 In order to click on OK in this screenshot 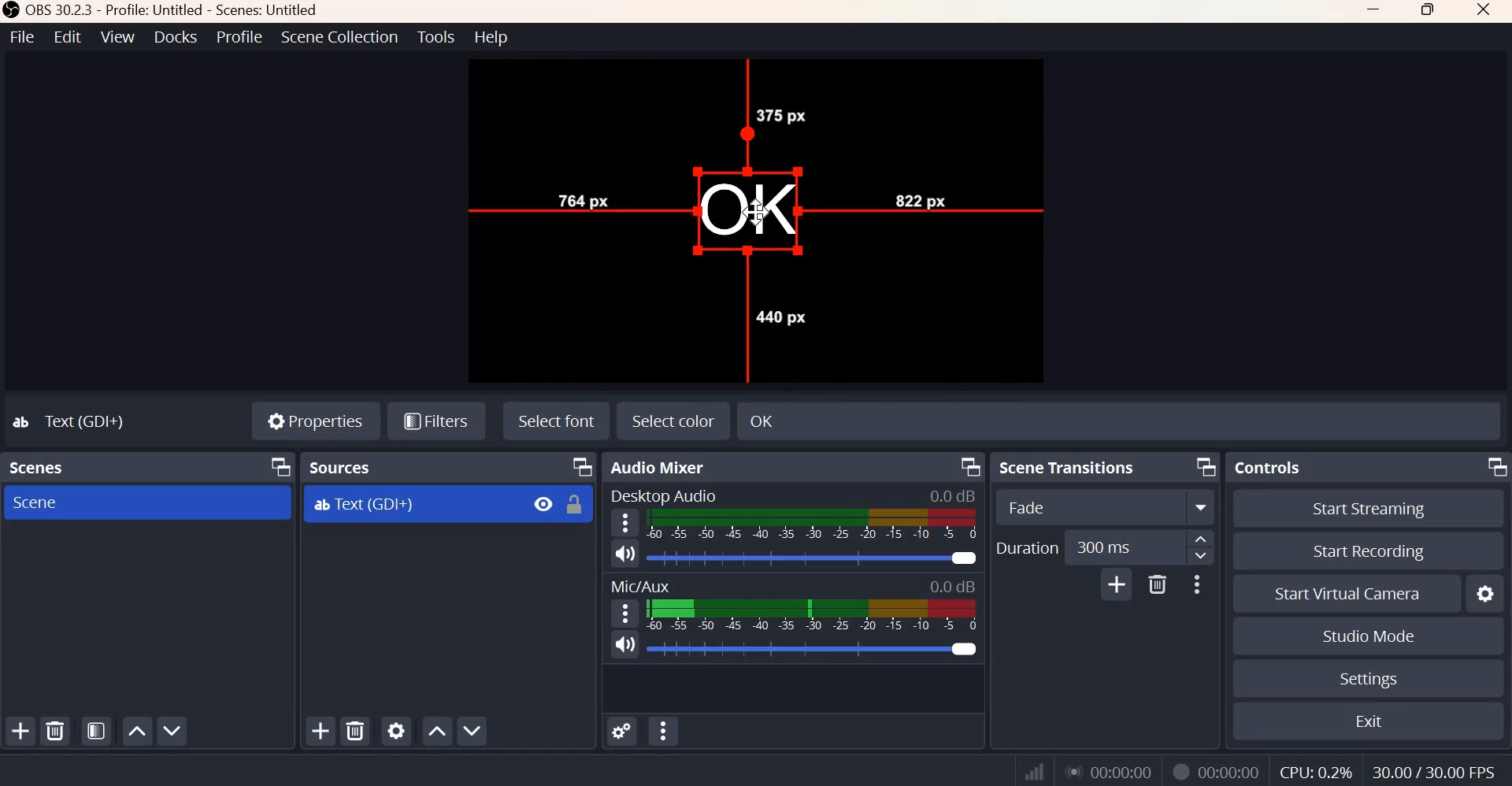, I will do `click(858, 419)`.